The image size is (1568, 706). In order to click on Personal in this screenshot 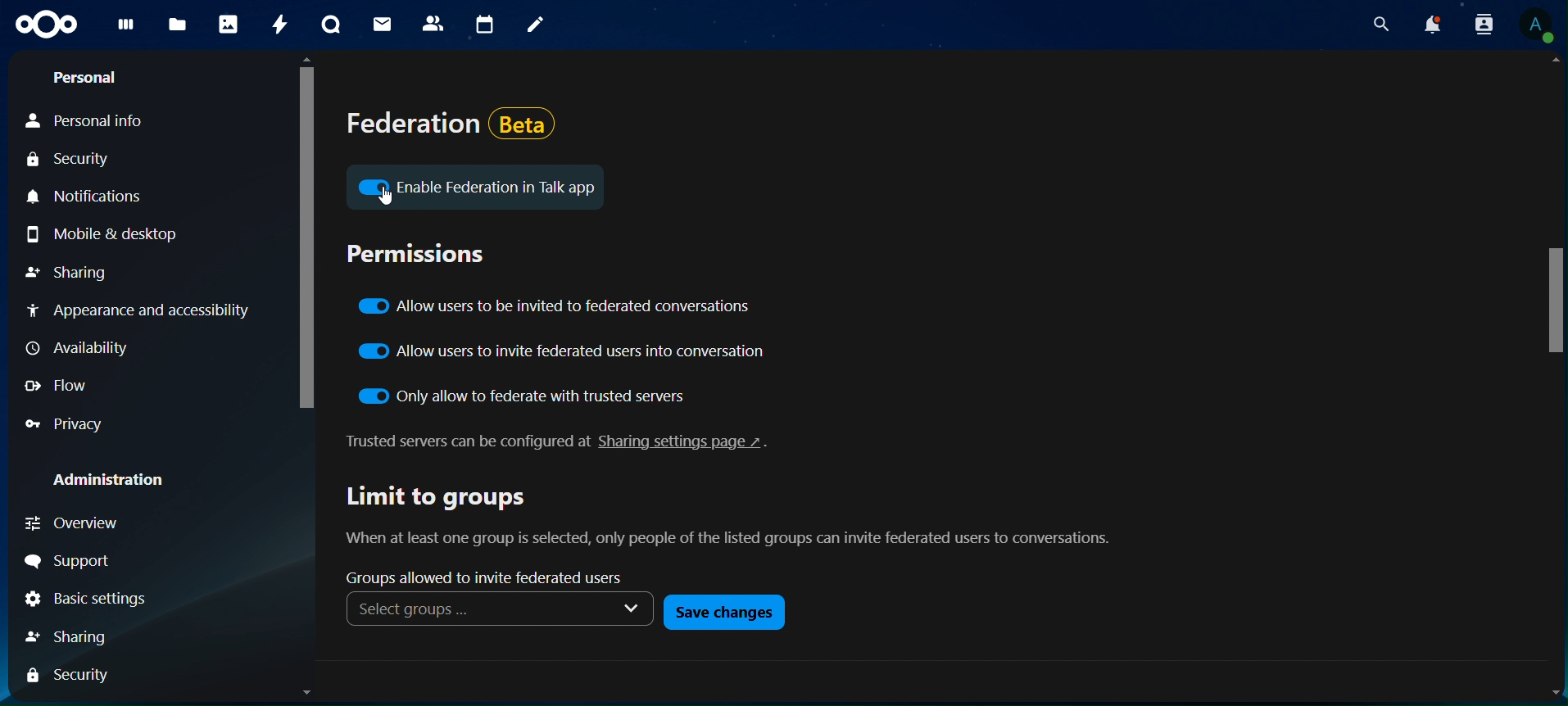, I will do `click(88, 78)`.